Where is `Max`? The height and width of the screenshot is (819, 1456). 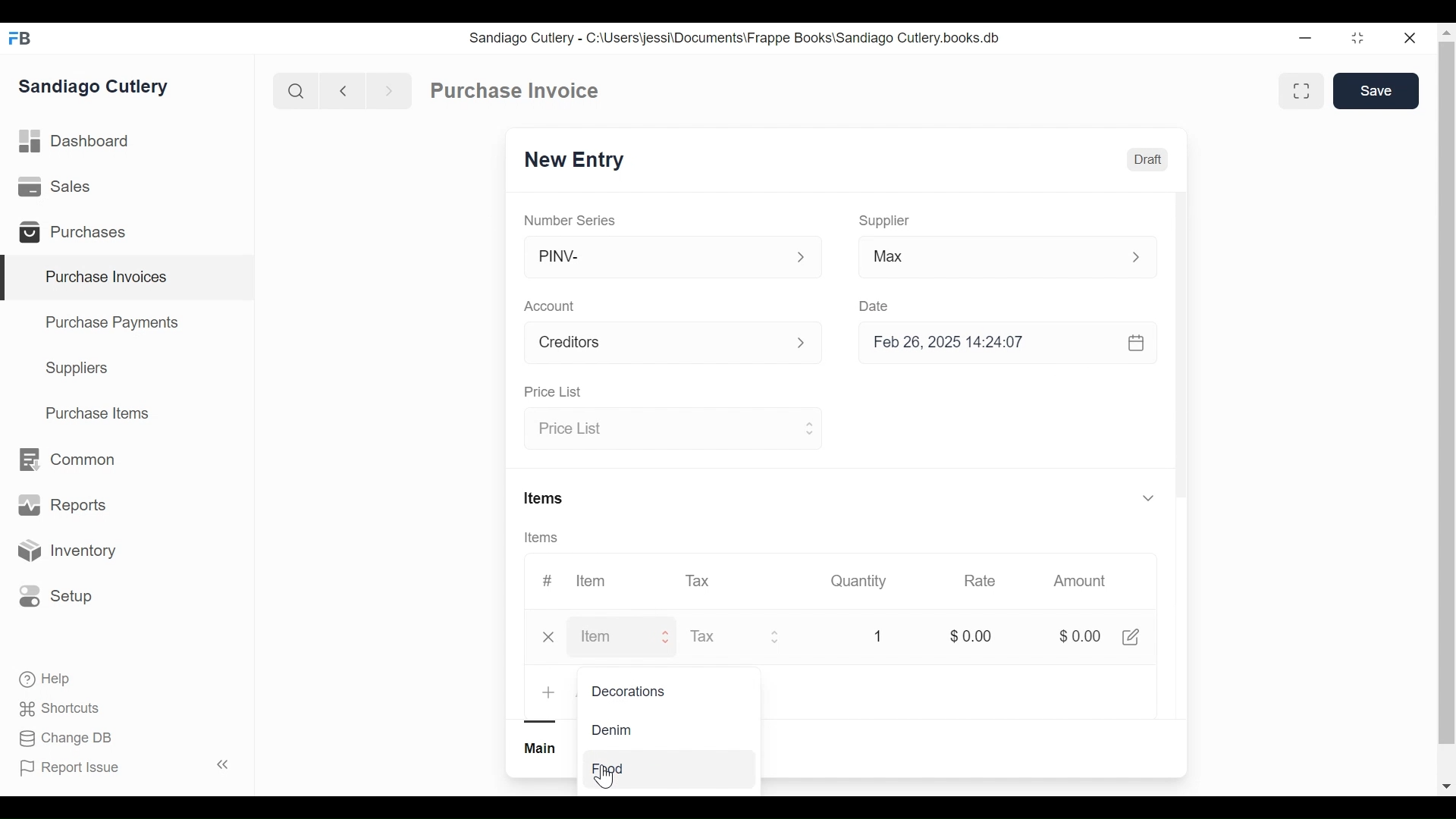
Max is located at coordinates (978, 257).